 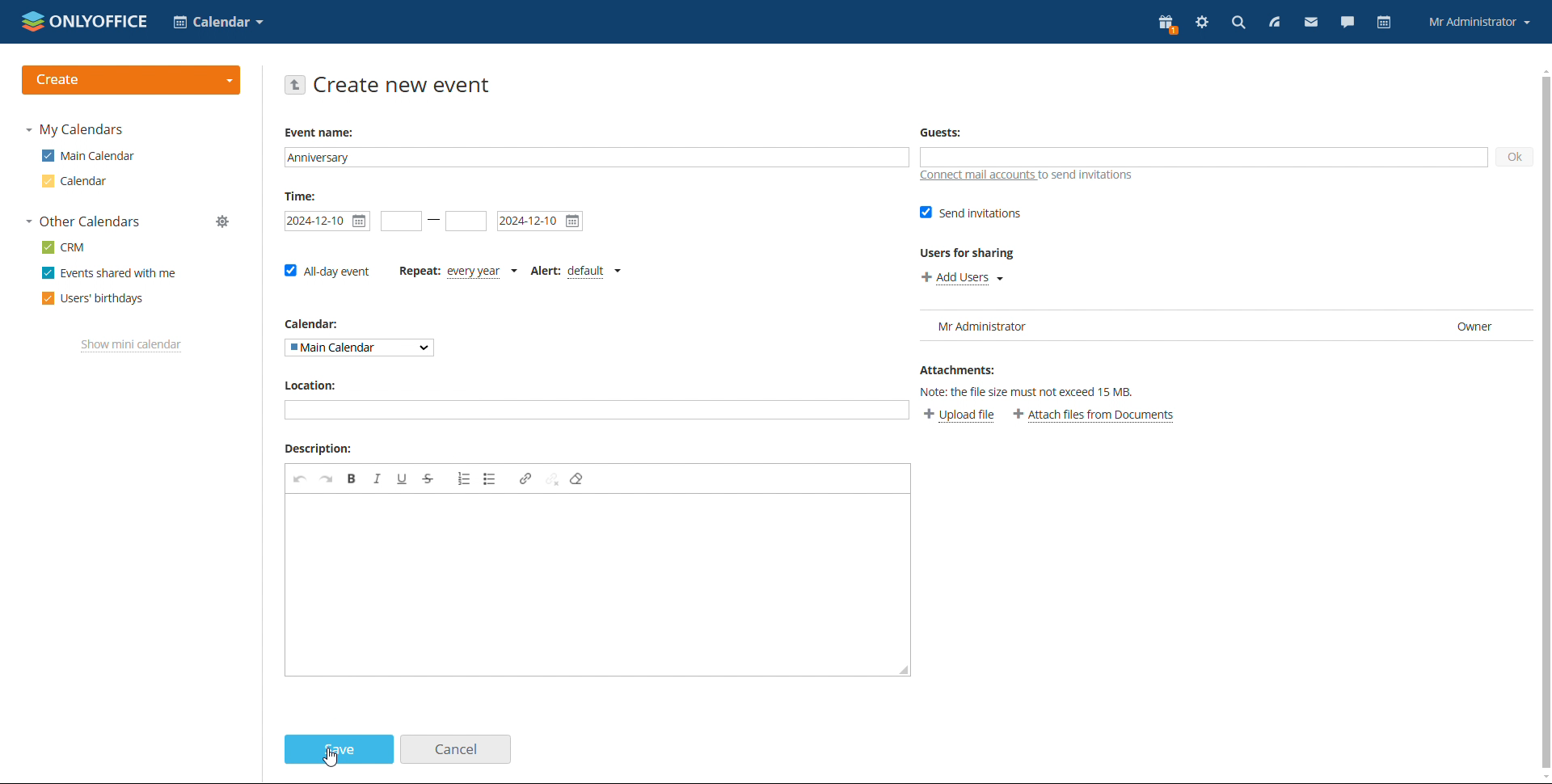 What do you see at coordinates (219, 22) in the screenshot?
I see `select application` at bounding box center [219, 22].